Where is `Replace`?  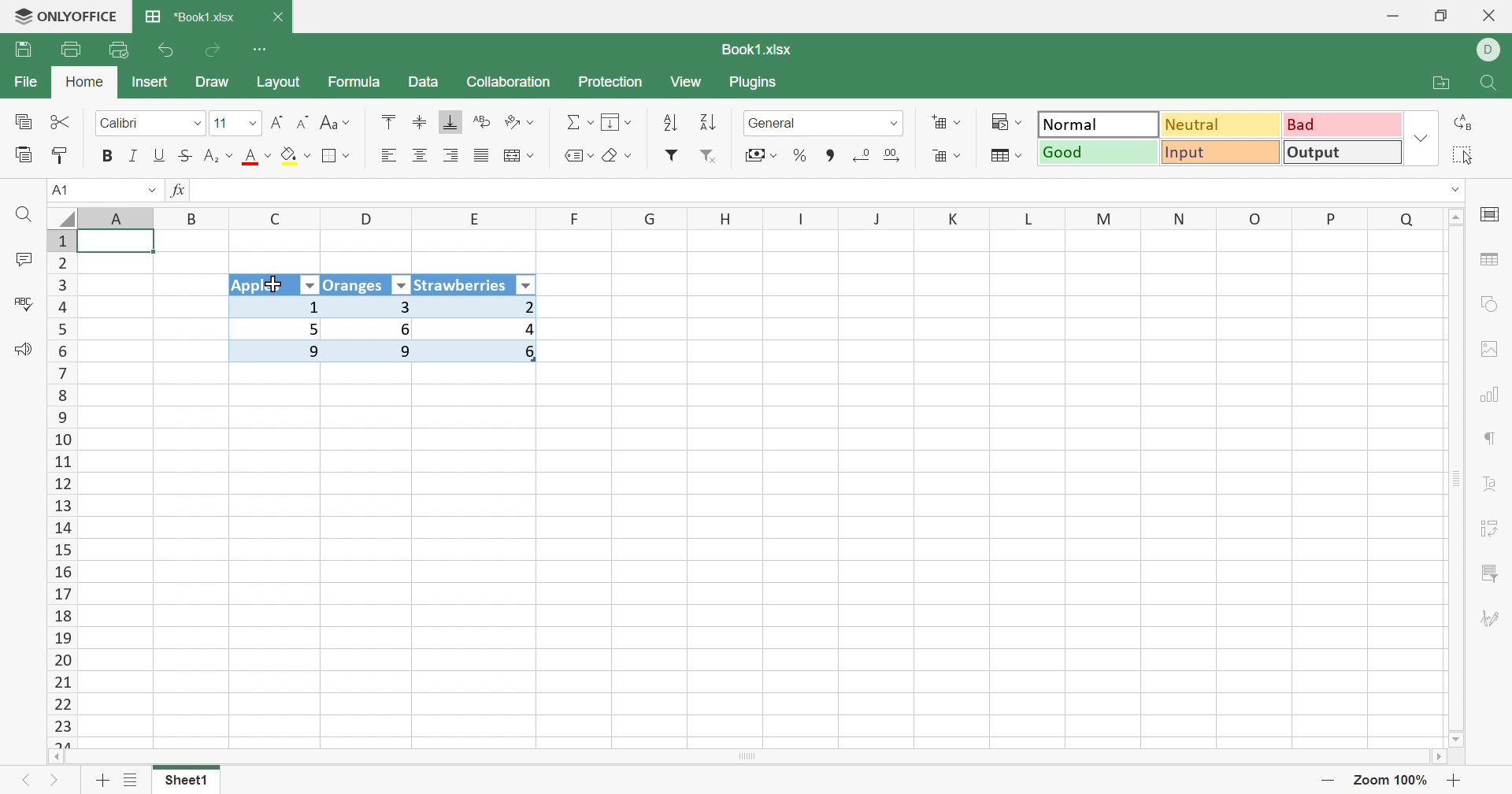 Replace is located at coordinates (1467, 122).